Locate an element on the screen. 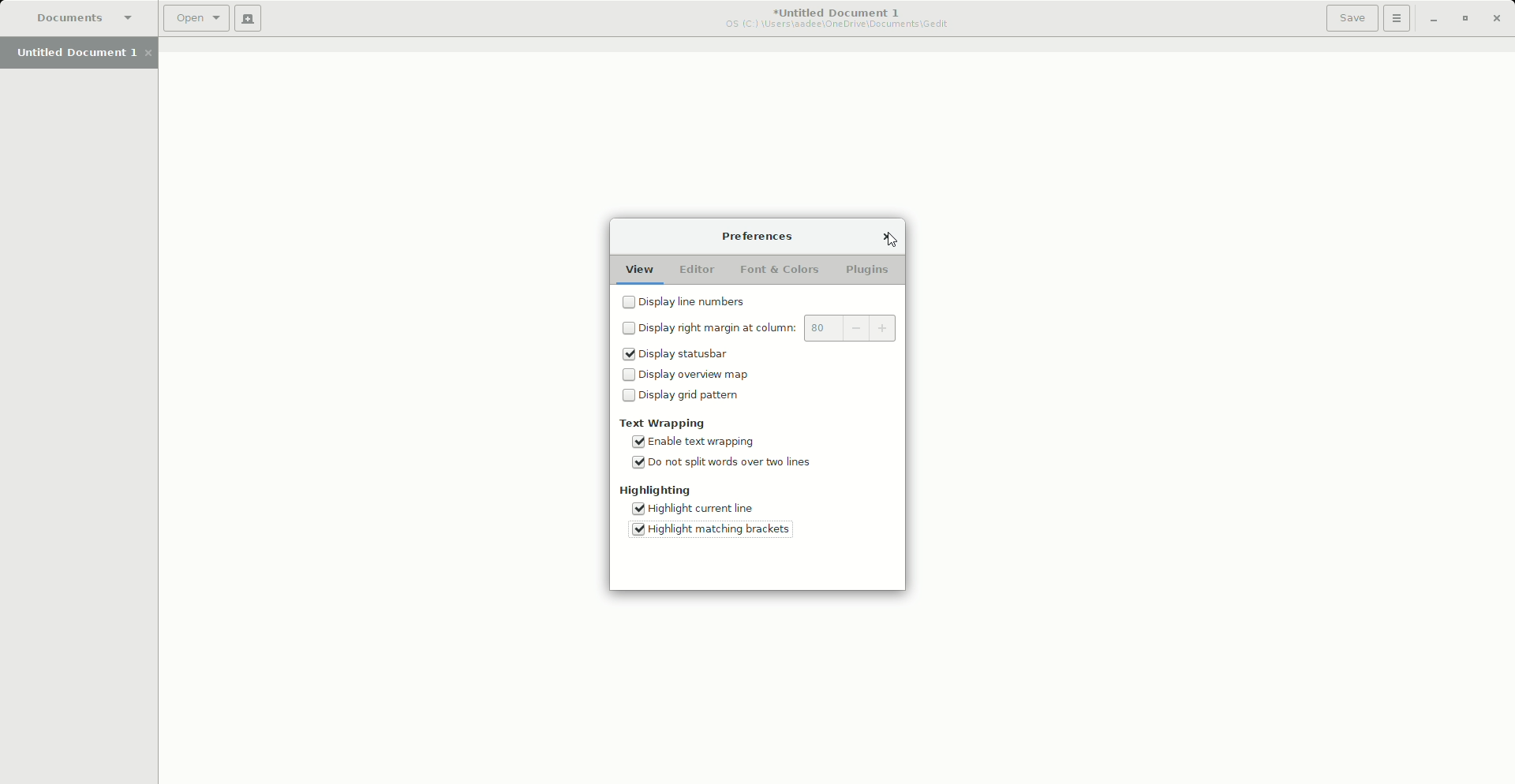 This screenshot has height=784, width=1515. Editor is located at coordinates (697, 271).